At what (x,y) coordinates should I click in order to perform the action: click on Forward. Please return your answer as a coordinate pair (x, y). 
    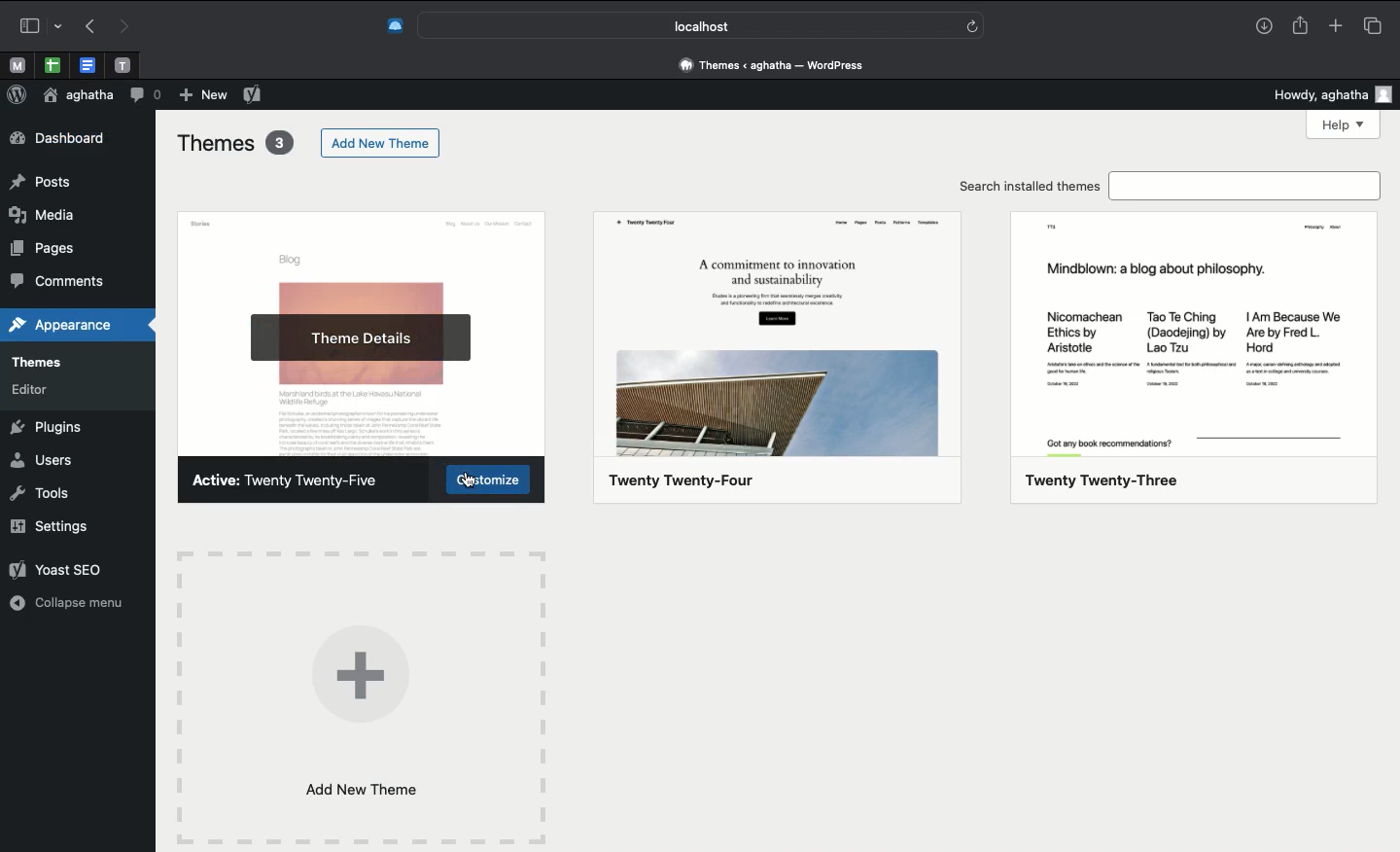
    Looking at the image, I should click on (125, 27).